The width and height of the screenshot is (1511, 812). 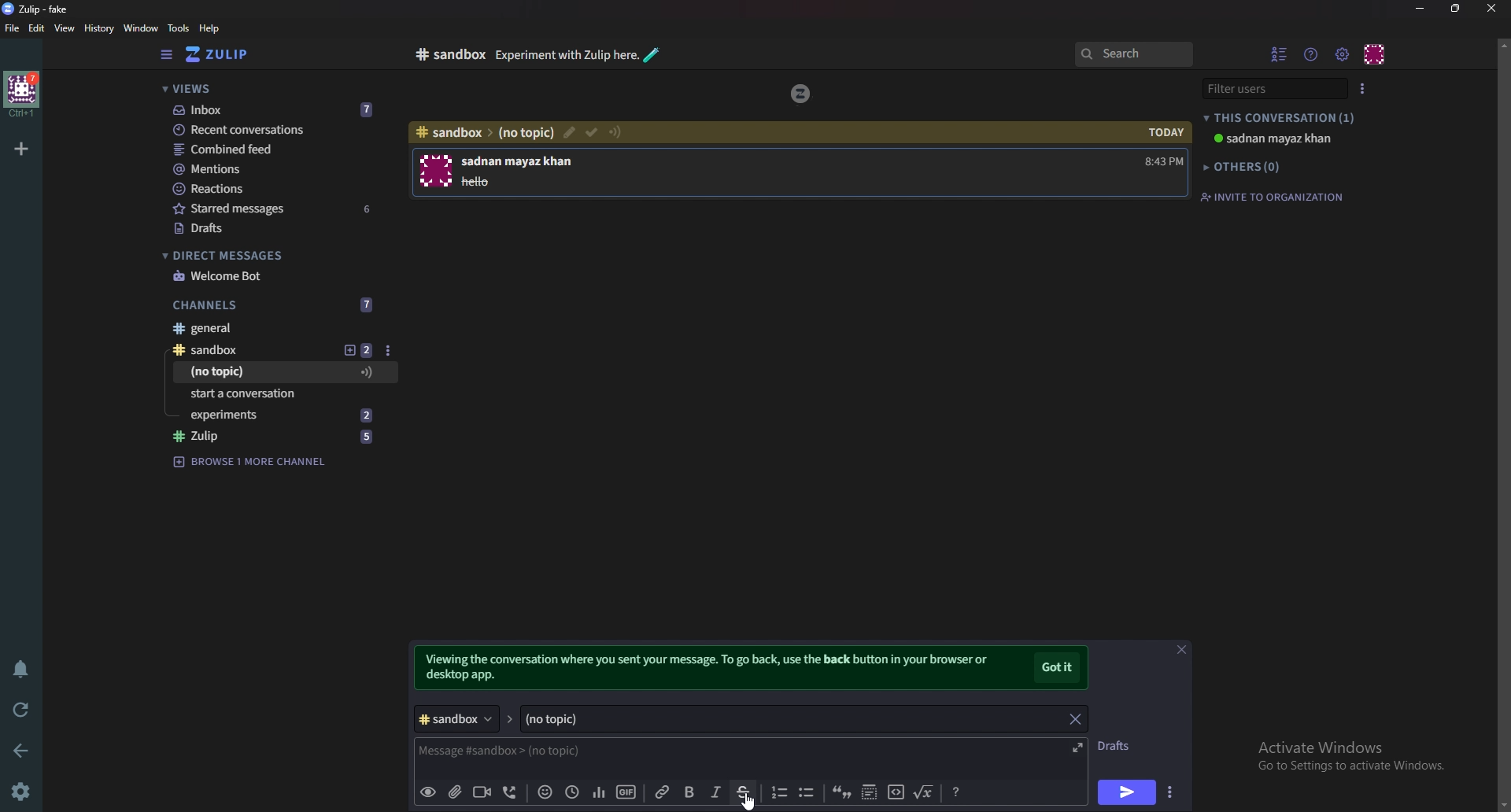 What do you see at coordinates (614, 131) in the screenshot?
I see `Configure topic` at bounding box center [614, 131].